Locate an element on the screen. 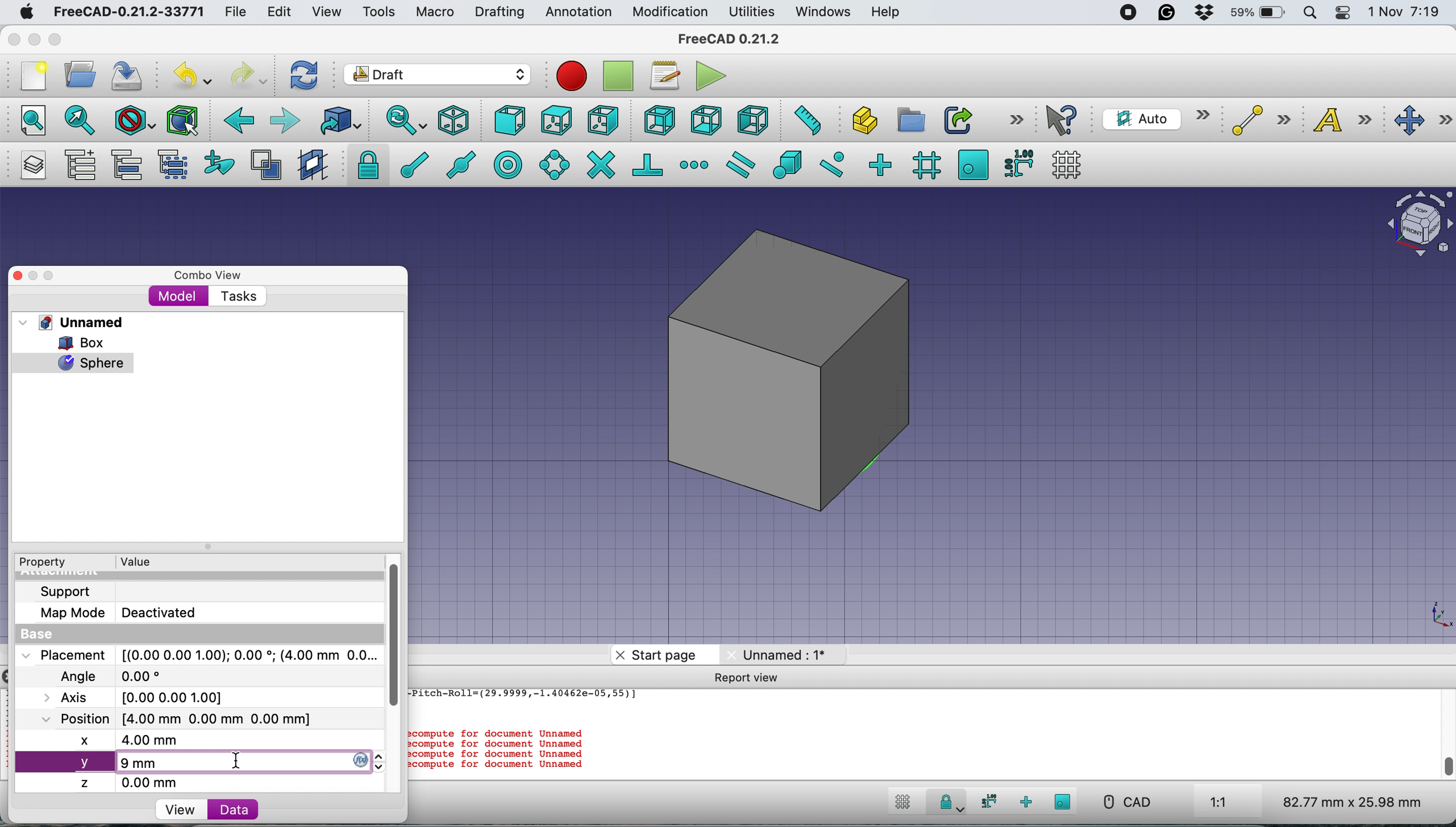  model is located at coordinates (178, 295).